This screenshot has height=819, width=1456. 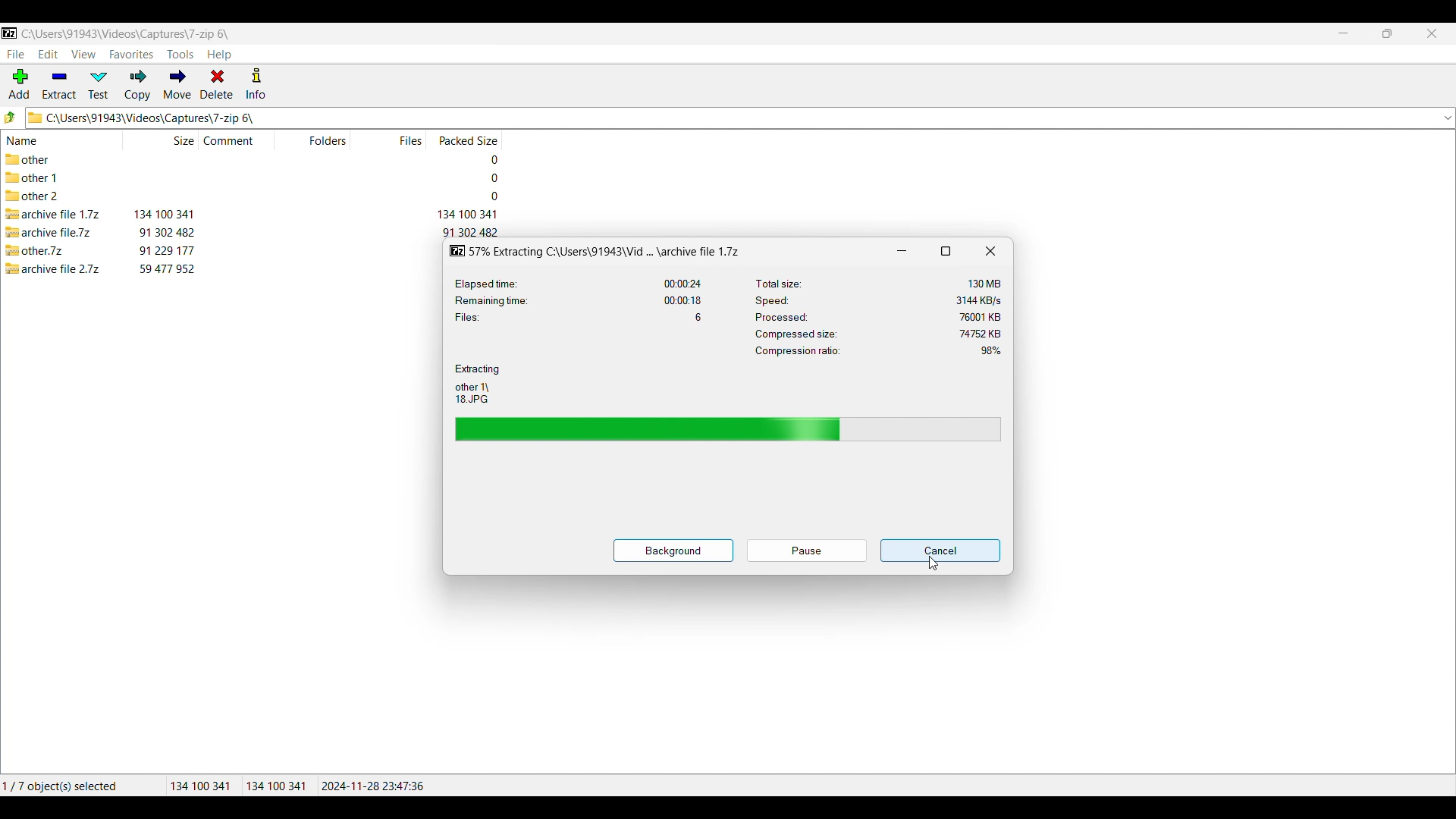 I want to click on packed size, so click(x=470, y=232).